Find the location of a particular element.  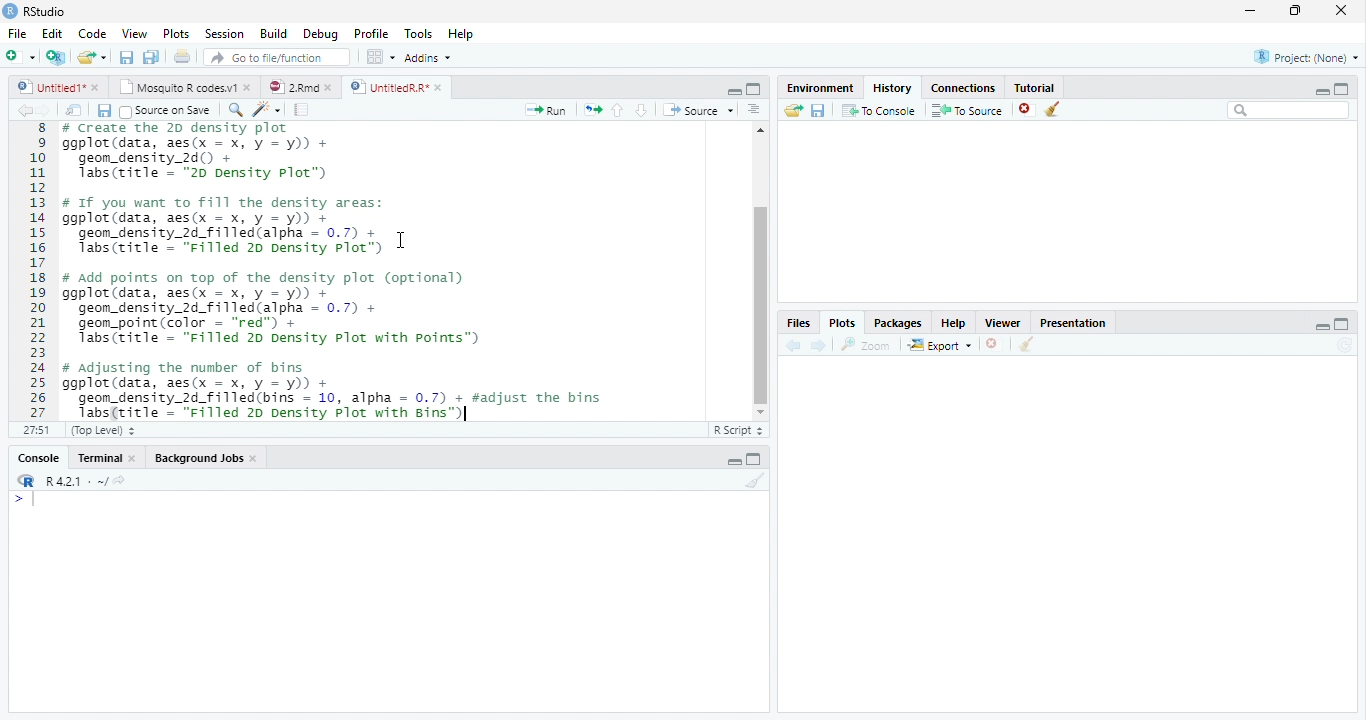

View is located at coordinates (134, 34).